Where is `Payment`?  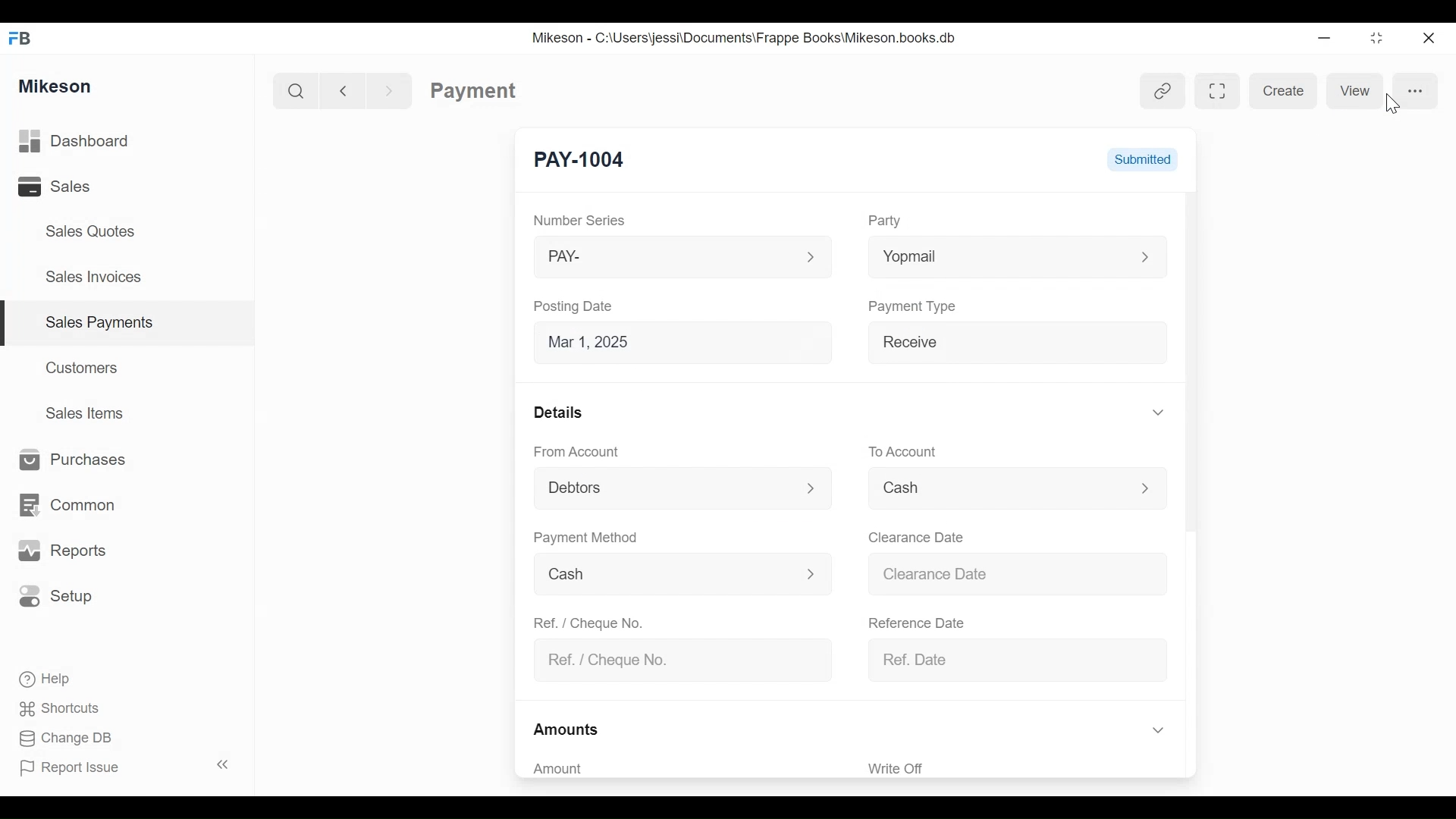
Payment is located at coordinates (472, 89).